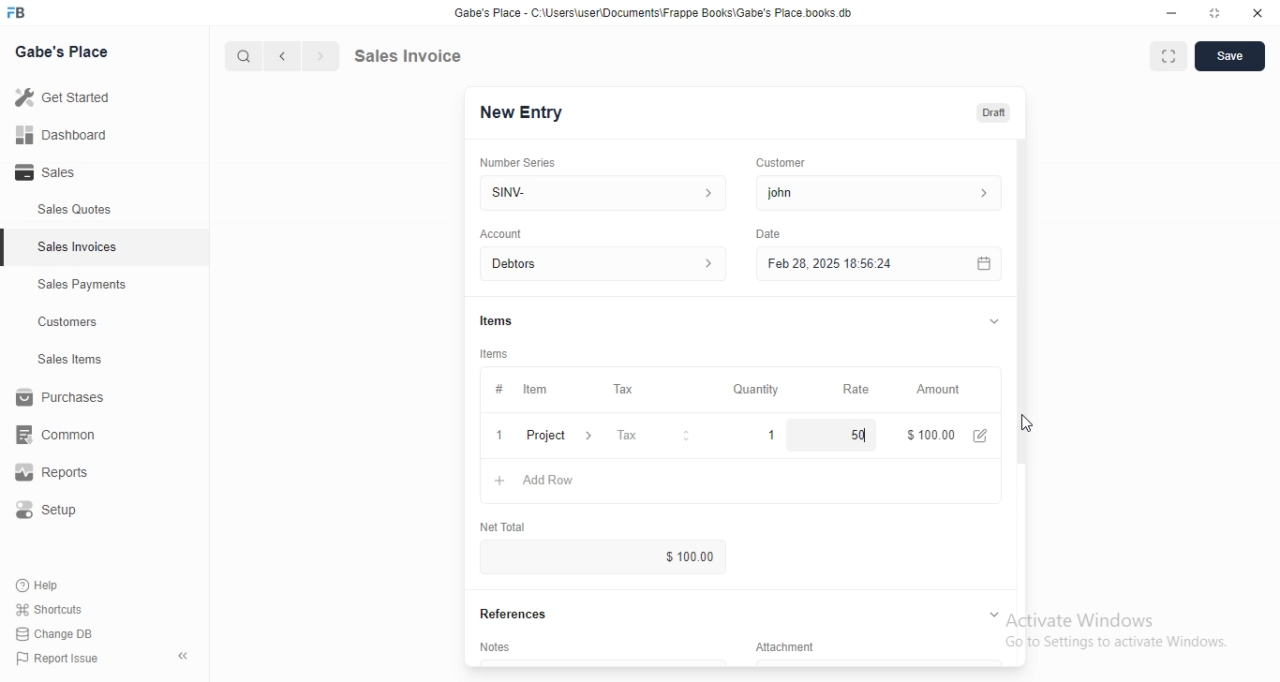 The width and height of the screenshot is (1280, 682). I want to click on maximise, so click(1163, 54).